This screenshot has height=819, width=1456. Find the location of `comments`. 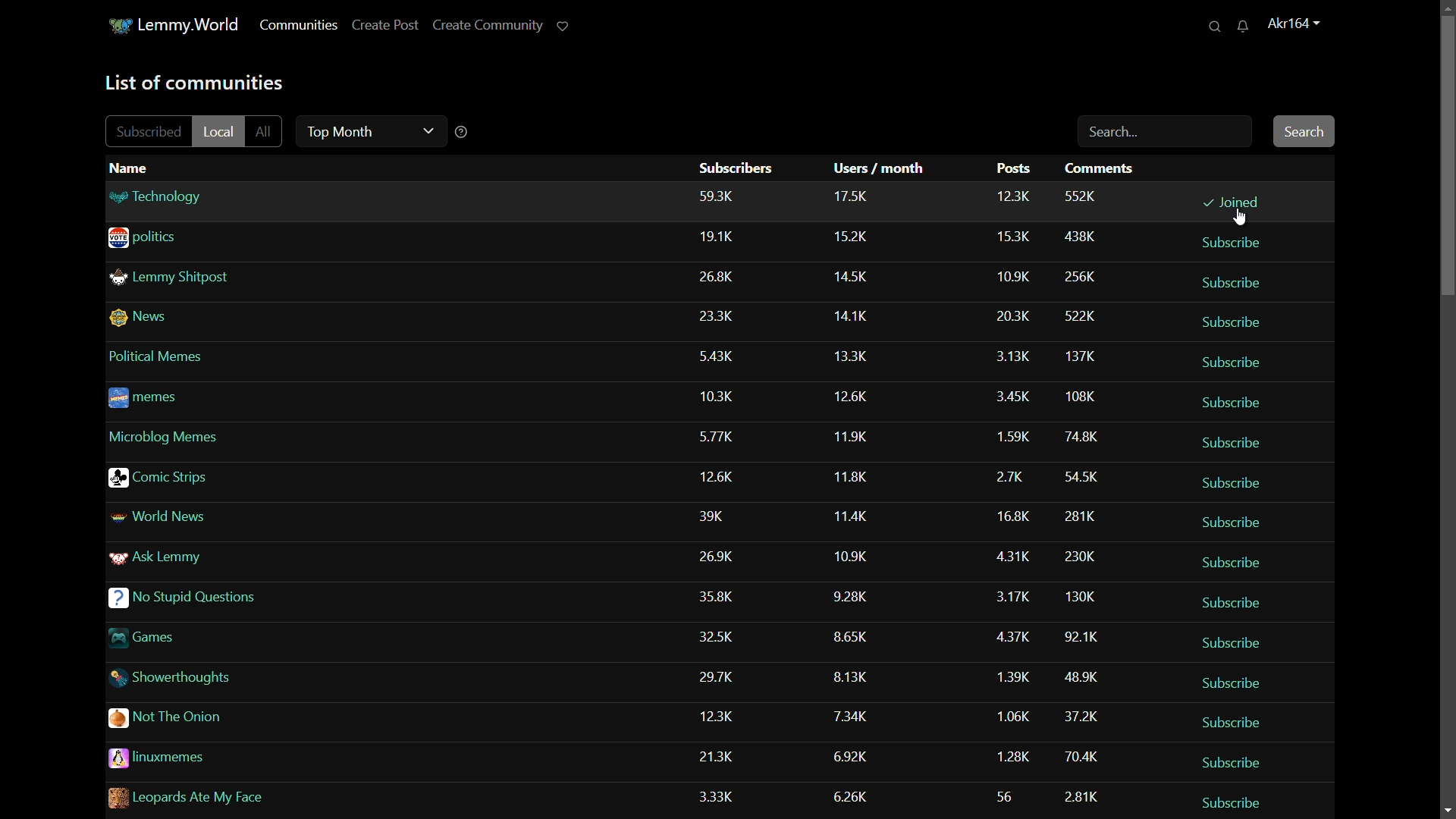

comments is located at coordinates (1085, 597).